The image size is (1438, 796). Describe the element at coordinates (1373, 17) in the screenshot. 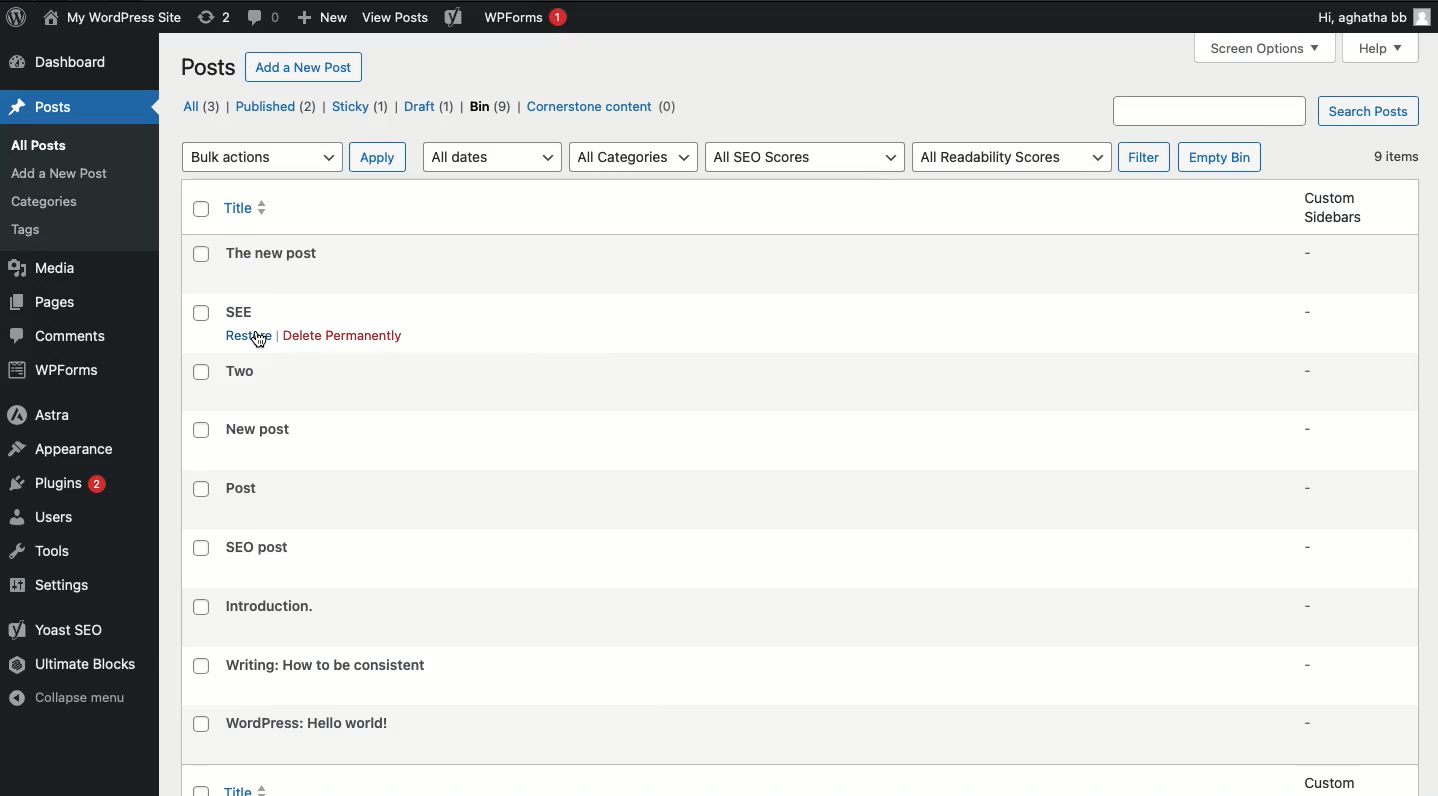

I see `Hi user` at that location.